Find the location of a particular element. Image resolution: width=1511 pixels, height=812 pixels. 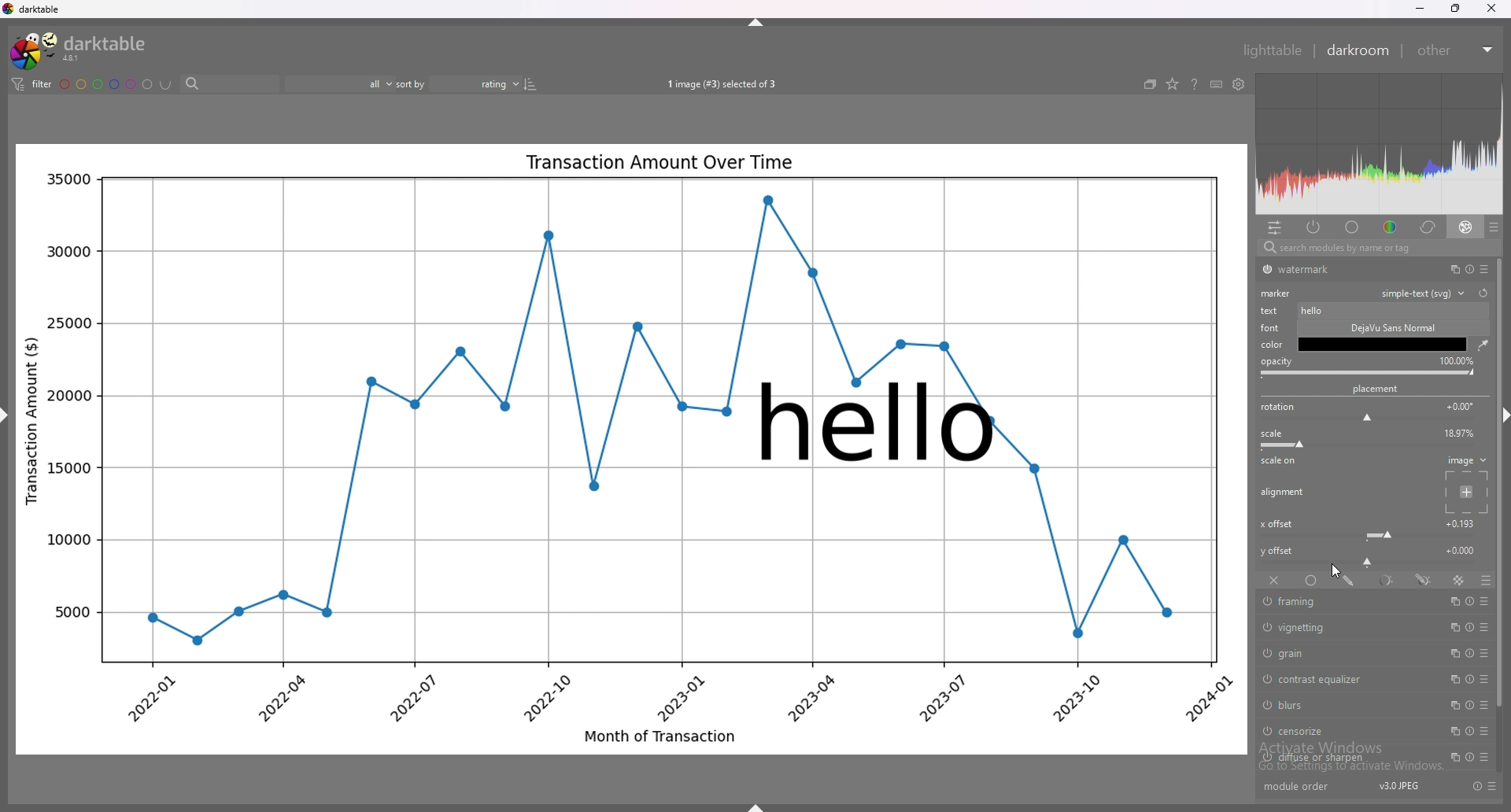

search bar is located at coordinates (226, 85).